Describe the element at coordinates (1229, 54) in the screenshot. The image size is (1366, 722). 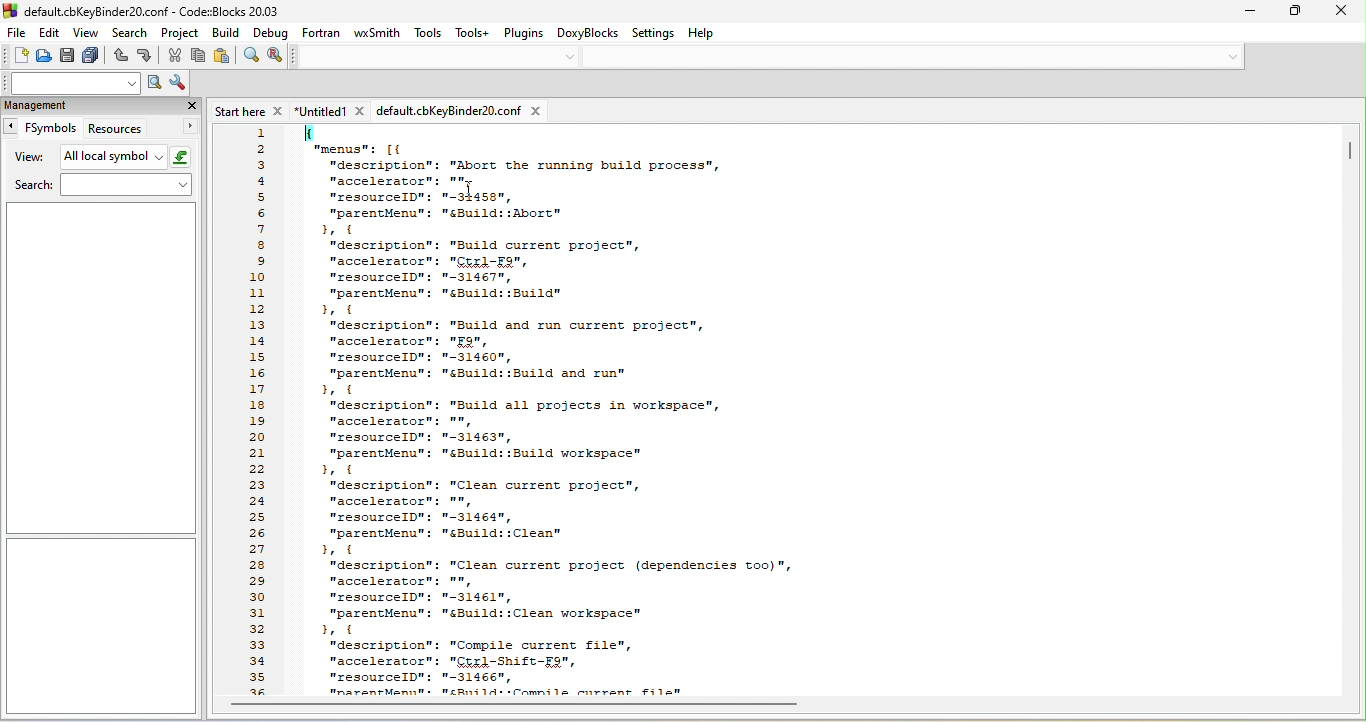
I see `dropdown` at that location.